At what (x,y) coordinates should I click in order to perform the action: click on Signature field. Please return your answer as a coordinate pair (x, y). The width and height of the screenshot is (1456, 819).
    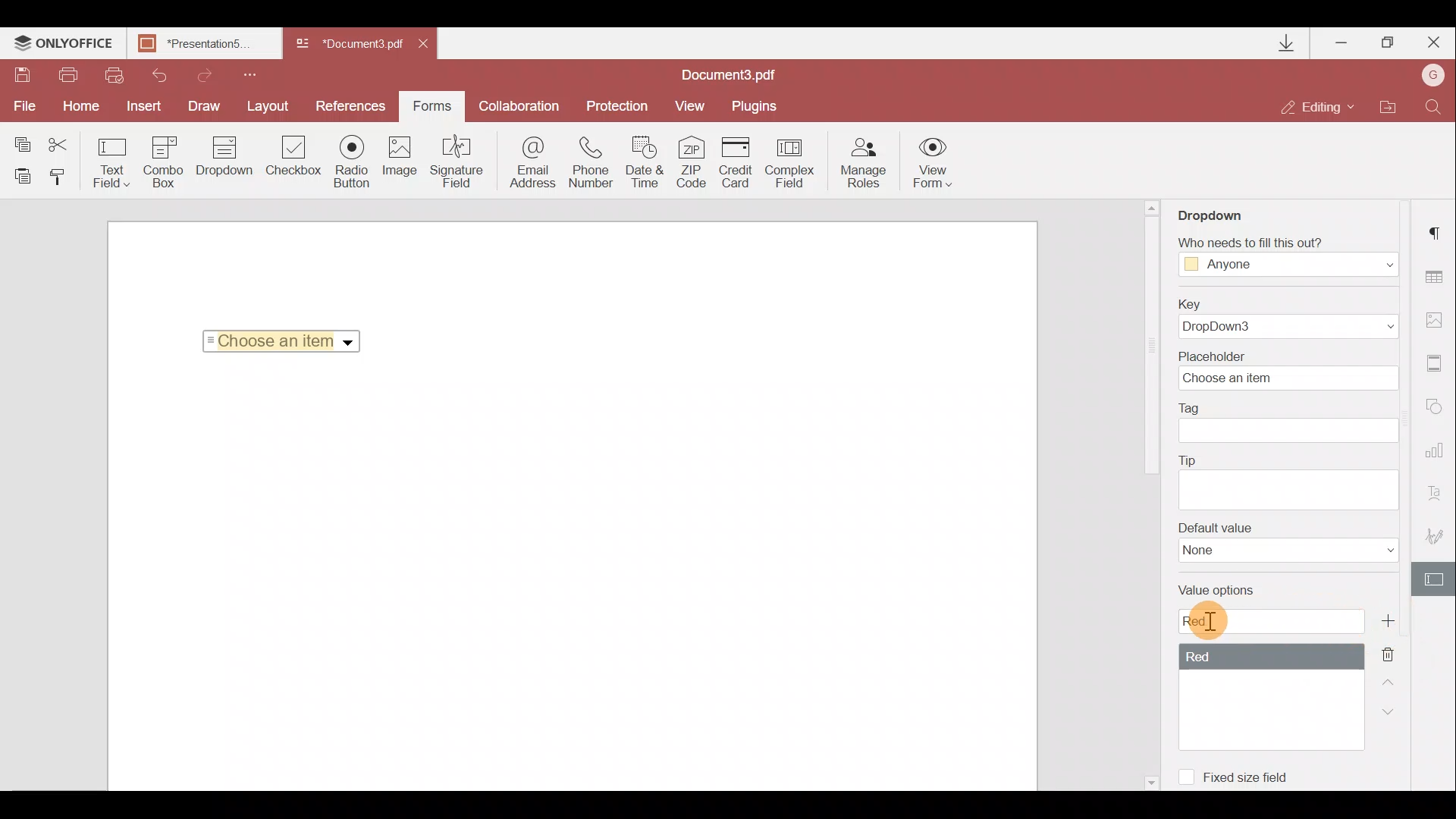
    Looking at the image, I should click on (459, 165).